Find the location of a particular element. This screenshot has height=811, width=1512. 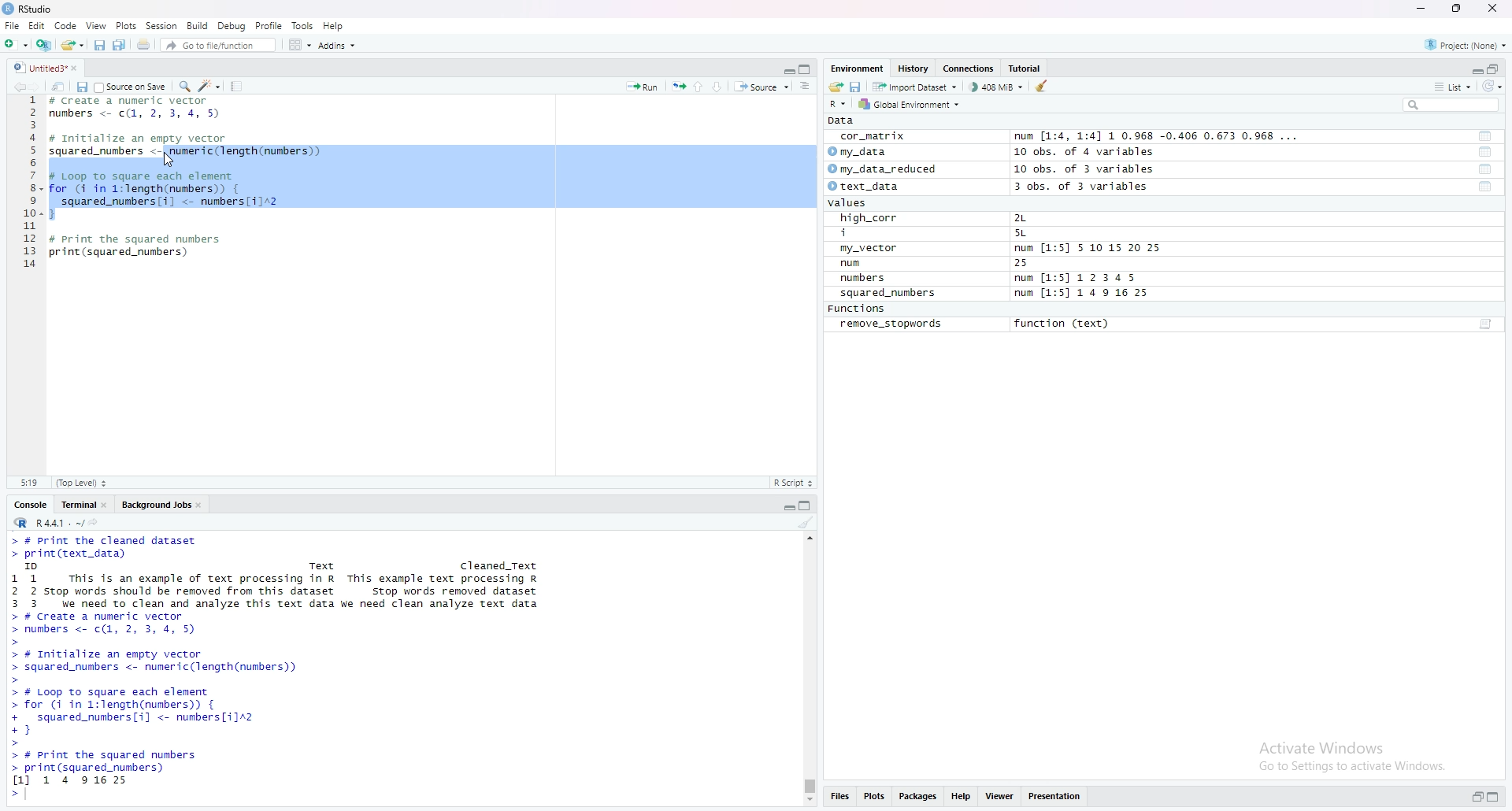

maximize is located at coordinates (807, 69).